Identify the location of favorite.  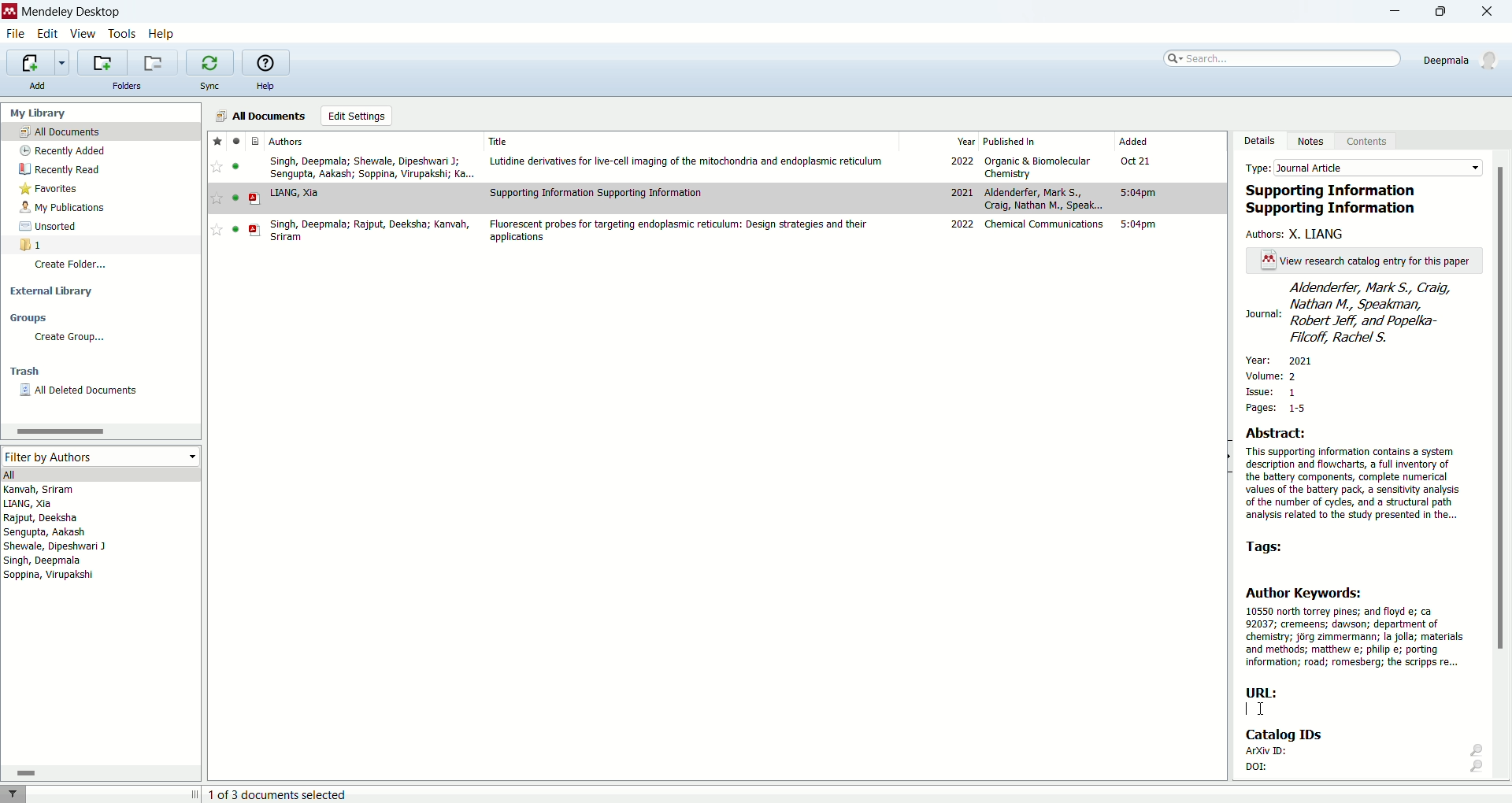
(216, 230).